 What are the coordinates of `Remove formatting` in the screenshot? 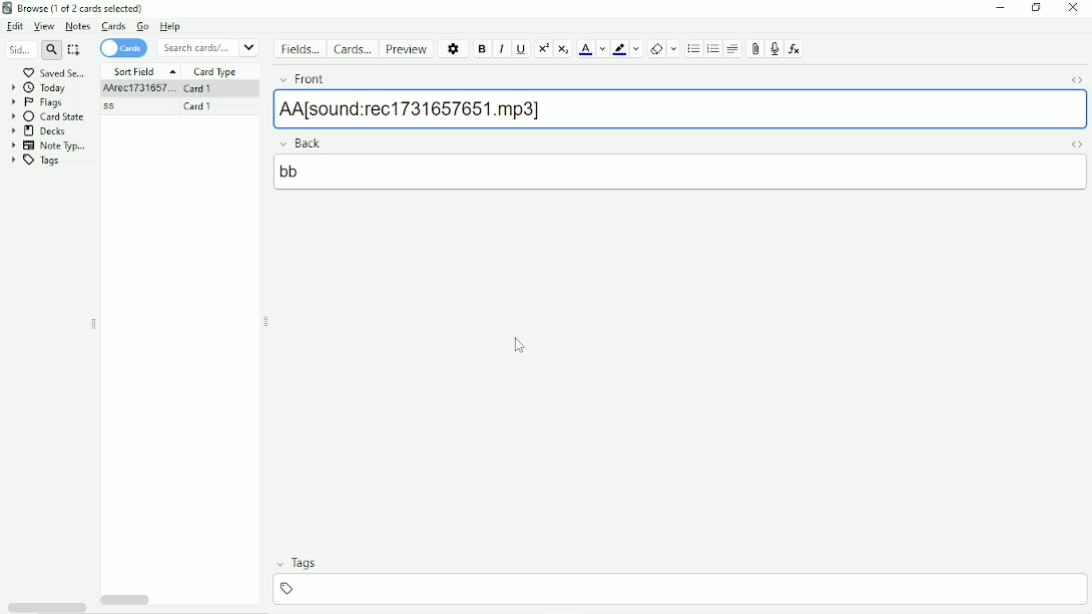 It's located at (656, 49).